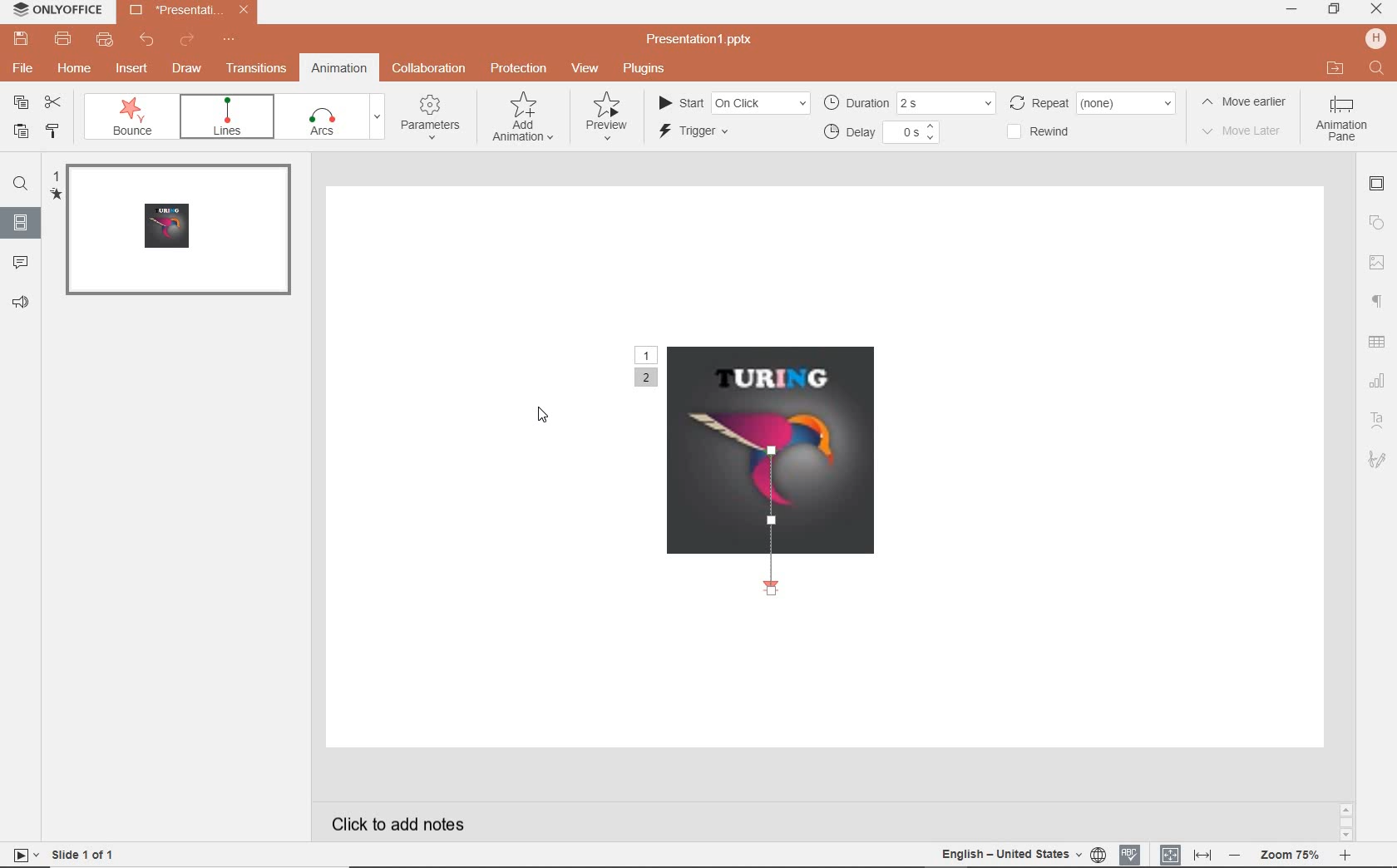 Image resolution: width=1397 pixels, height=868 pixels. I want to click on comments, so click(21, 264).